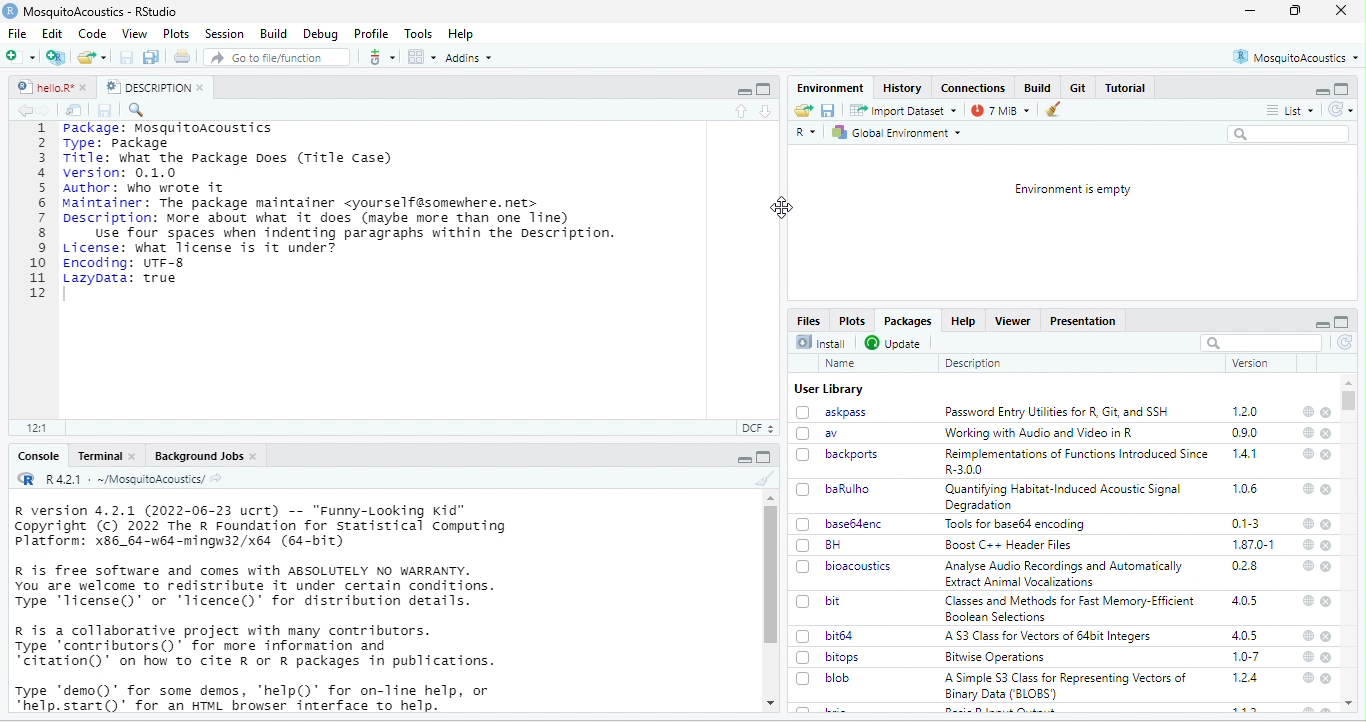 The width and height of the screenshot is (1366, 722). I want to click on 0.1-3, so click(1246, 523).